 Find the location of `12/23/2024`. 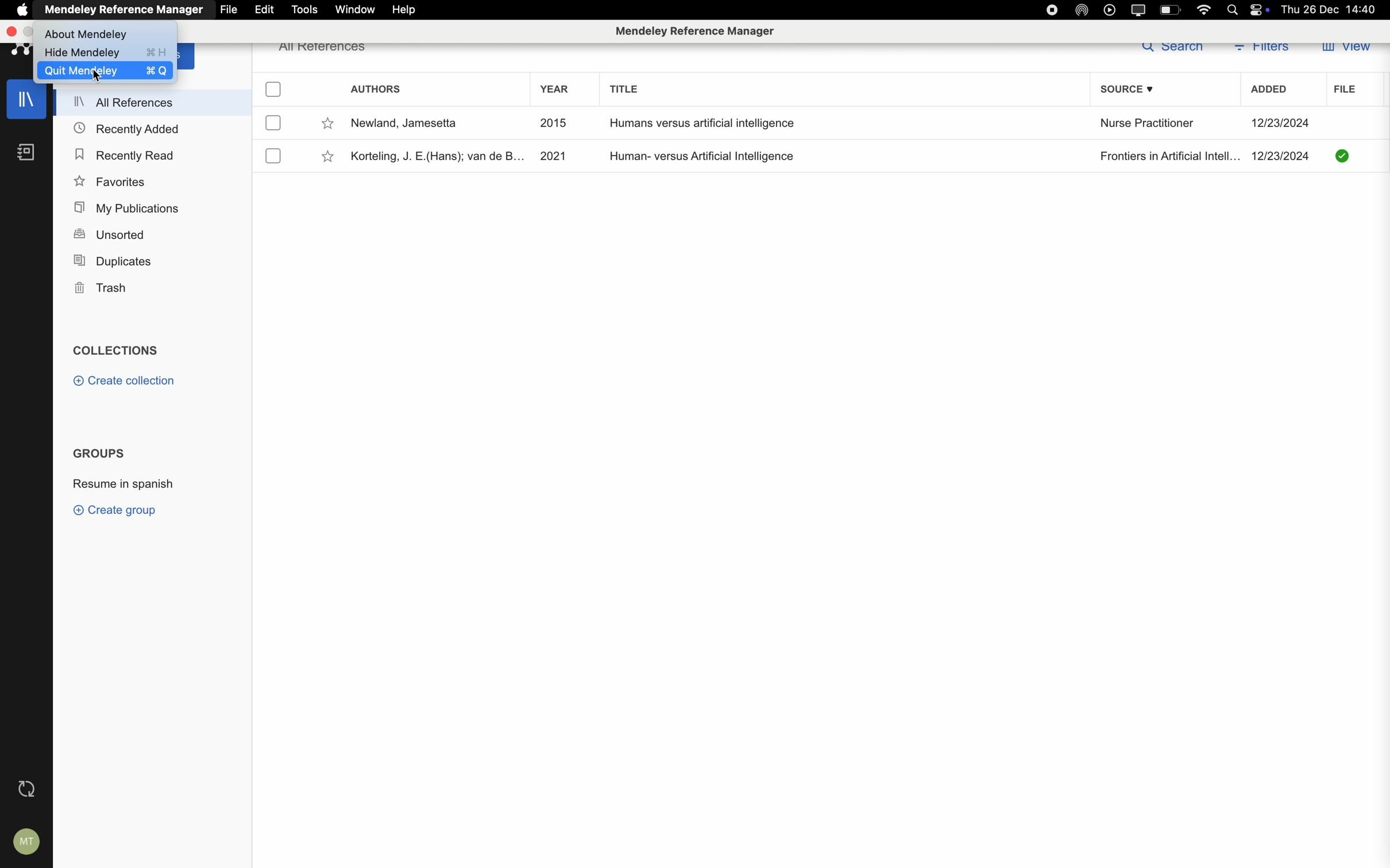

12/23/2024 is located at coordinates (1281, 123).